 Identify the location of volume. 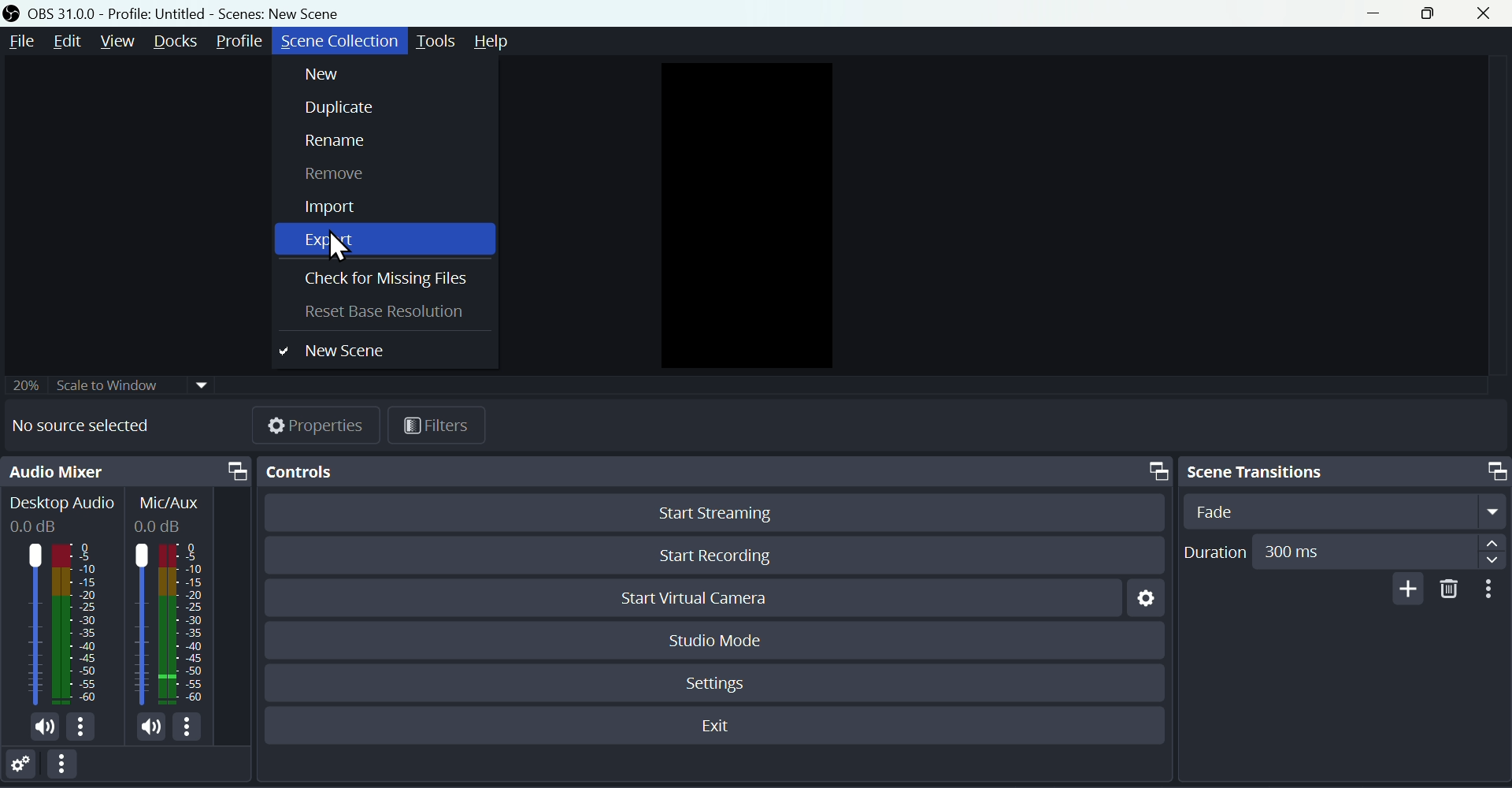
(41, 729).